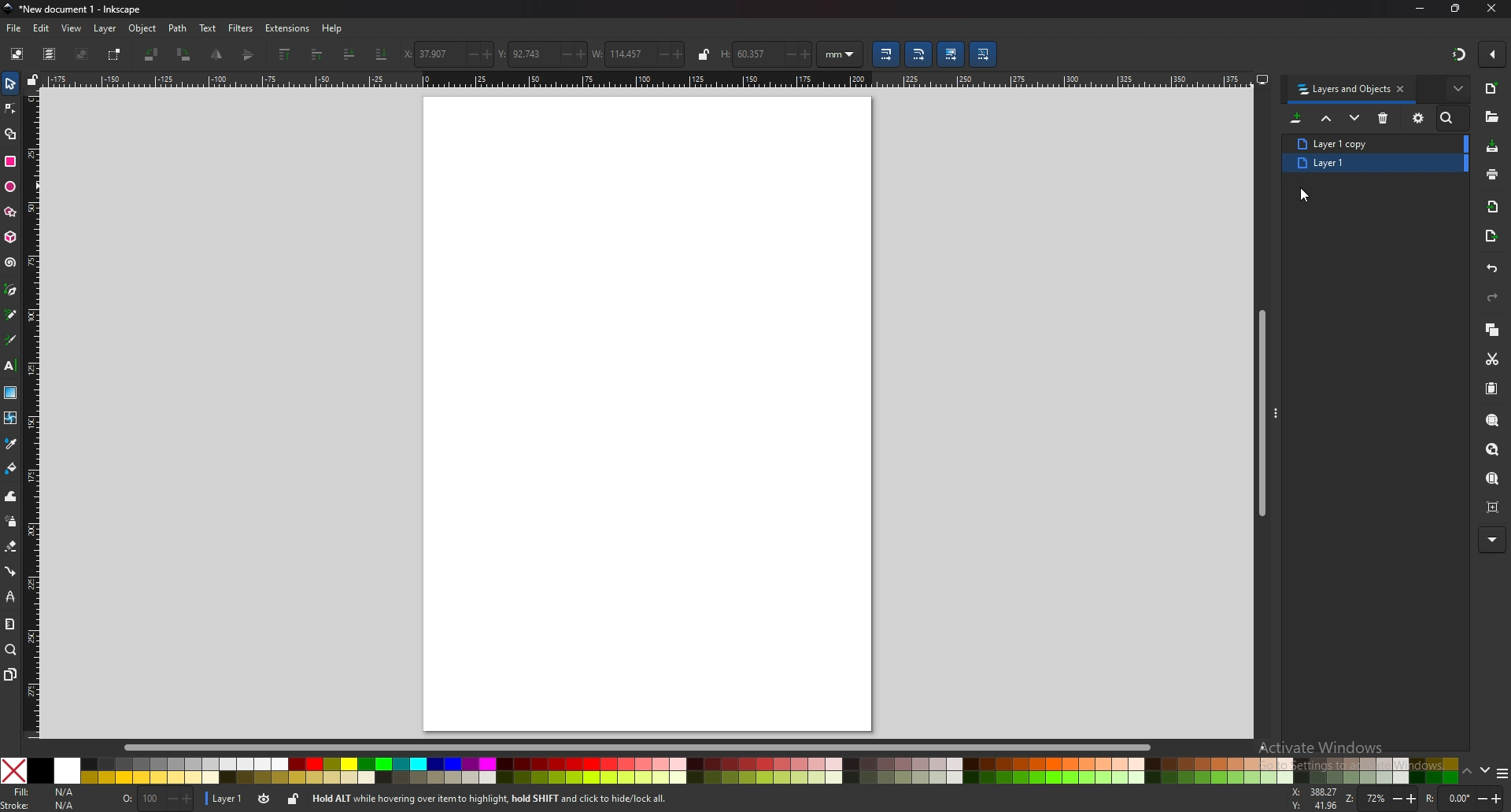  I want to click on increase, so click(580, 54).